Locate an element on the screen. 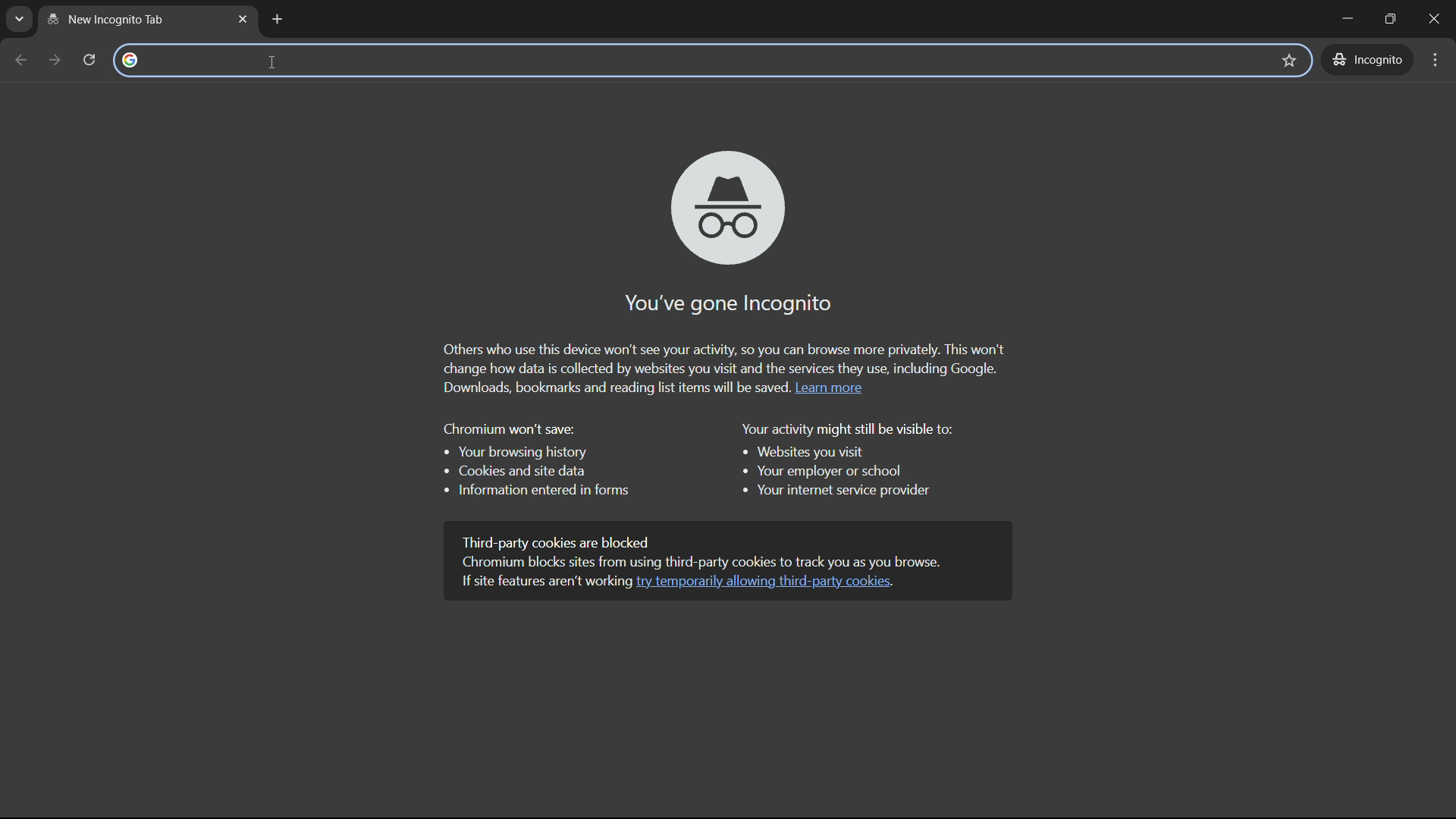 Image resolution: width=1456 pixels, height=819 pixels. new tab is located at coordinates (278, 20).